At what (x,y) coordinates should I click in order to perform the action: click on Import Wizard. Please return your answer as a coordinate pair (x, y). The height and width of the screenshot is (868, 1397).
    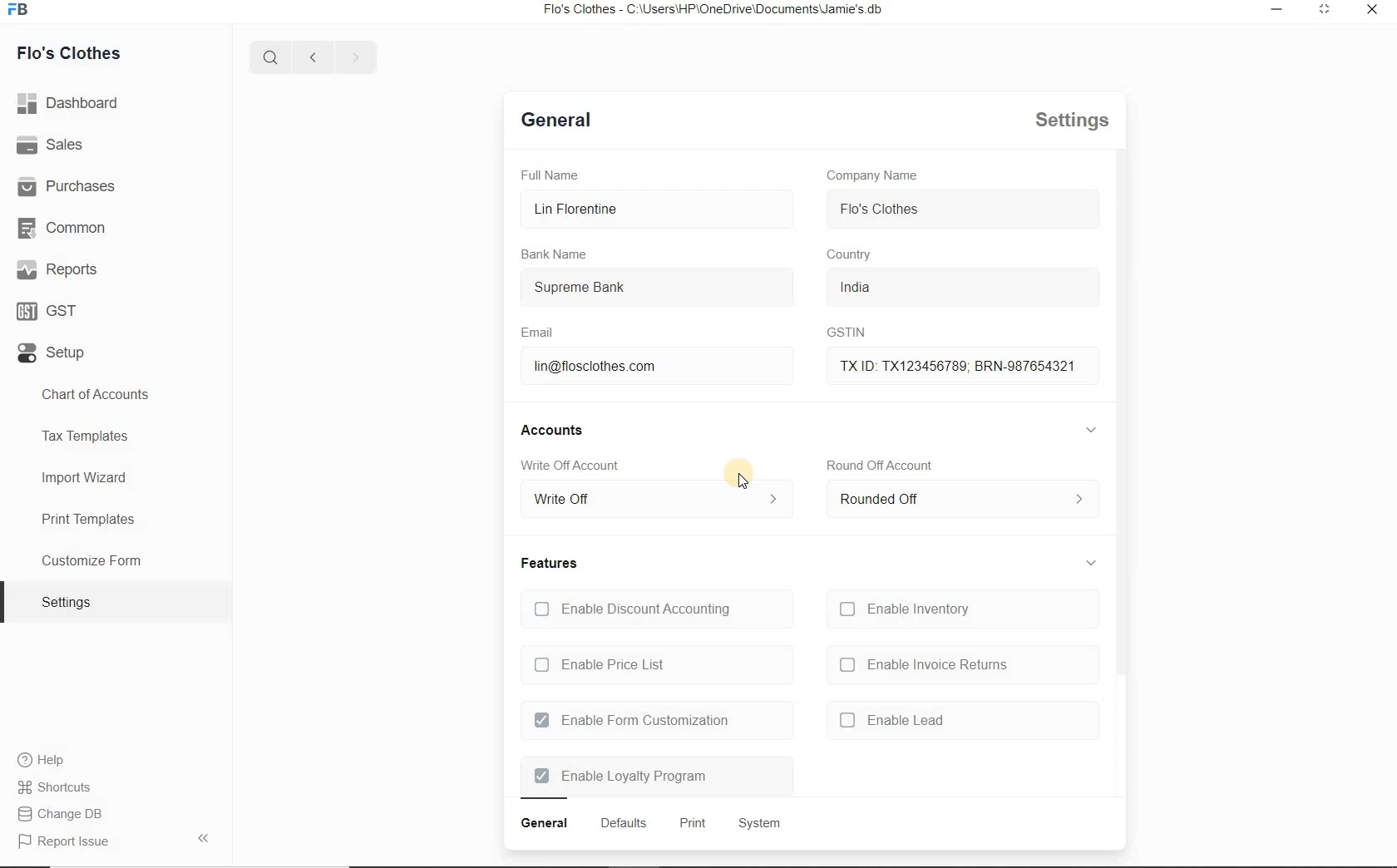
    Looking at the image, I should click on (115, 479).